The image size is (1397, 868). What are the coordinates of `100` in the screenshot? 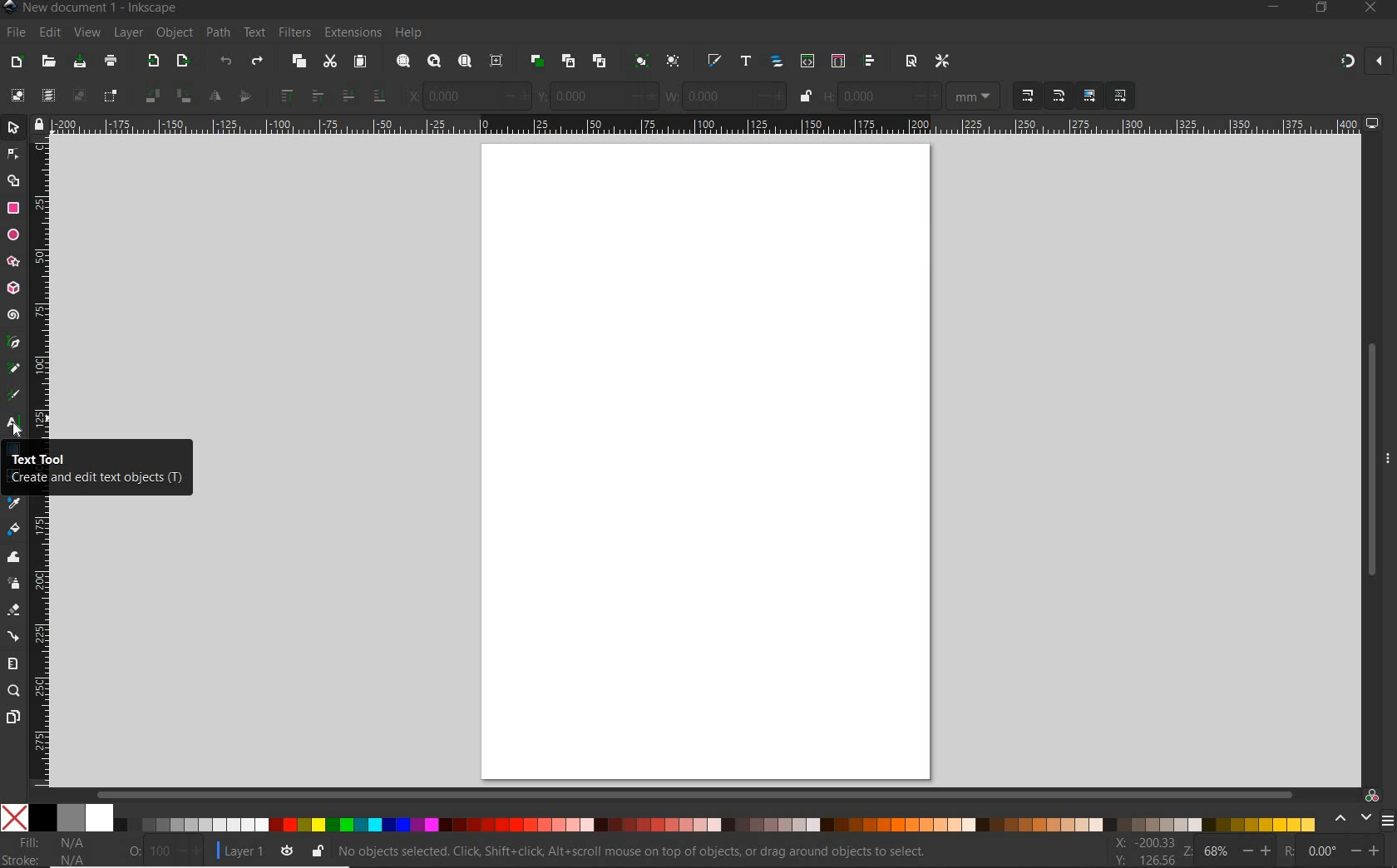 It's located at (160, 851).